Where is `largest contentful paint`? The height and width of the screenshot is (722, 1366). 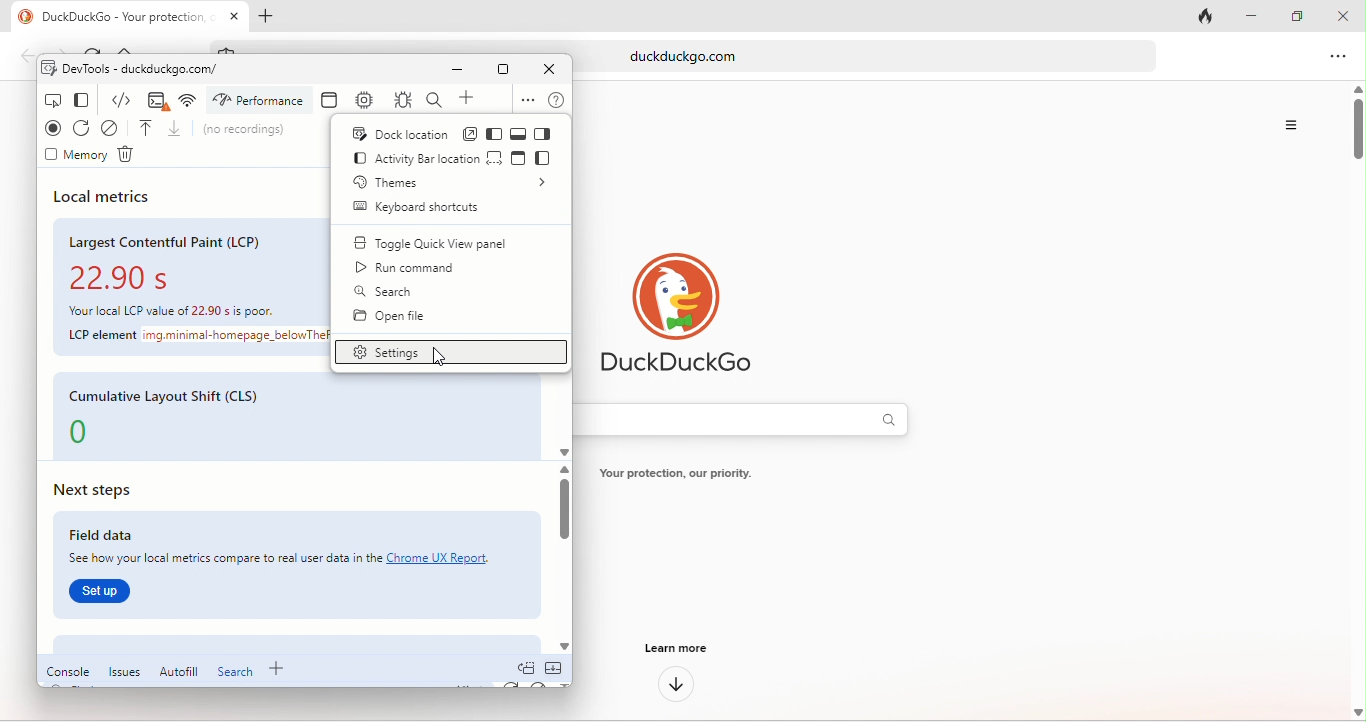 largest contentful paint is located at coordinates (169, 241).